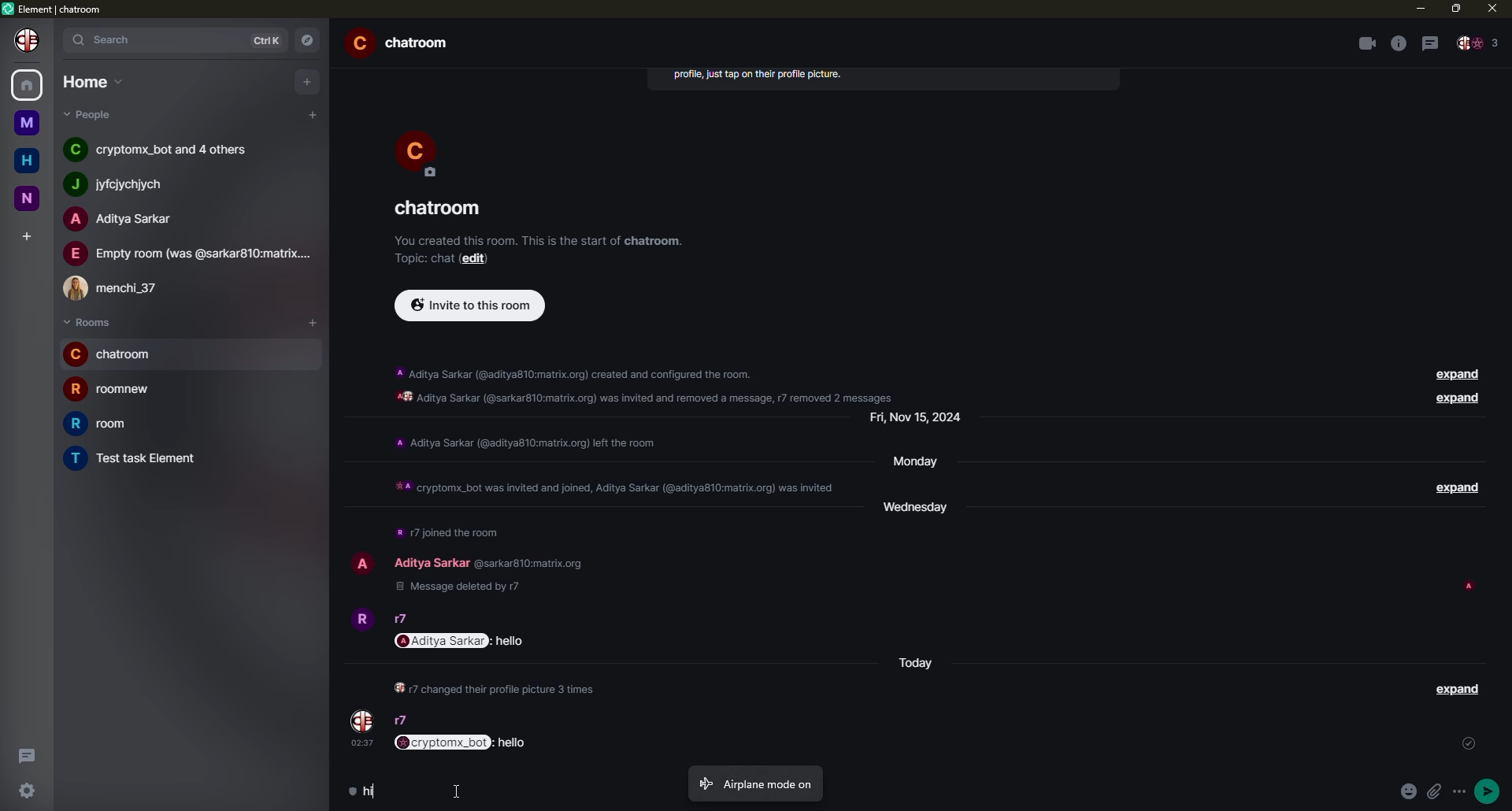 The width and height of the screenshot is (1512, 811). I want to click on time, so click(364, 744).